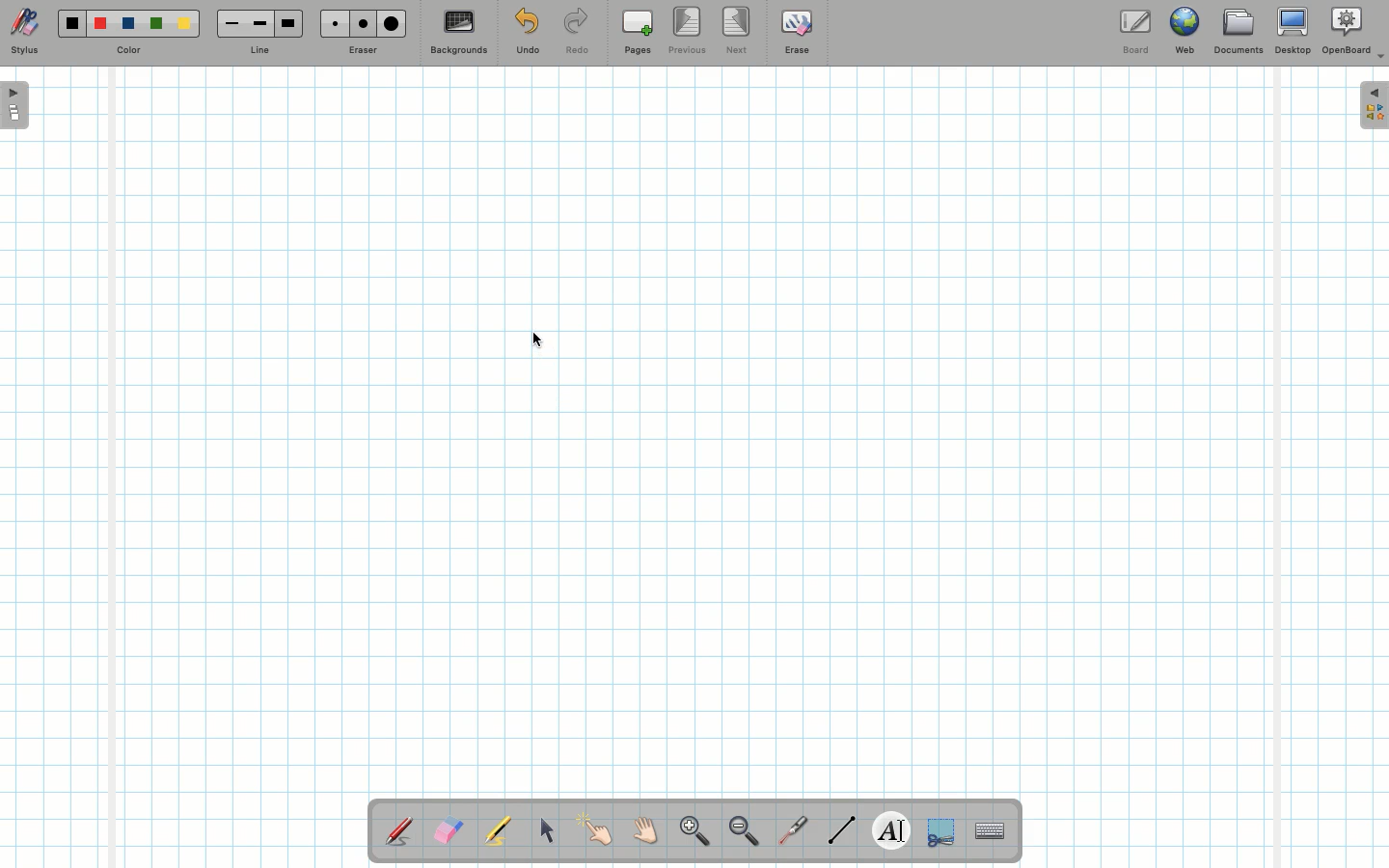  Describe the element at coordinates (991, 826) in the screenshot. I see `Text input` at that location.